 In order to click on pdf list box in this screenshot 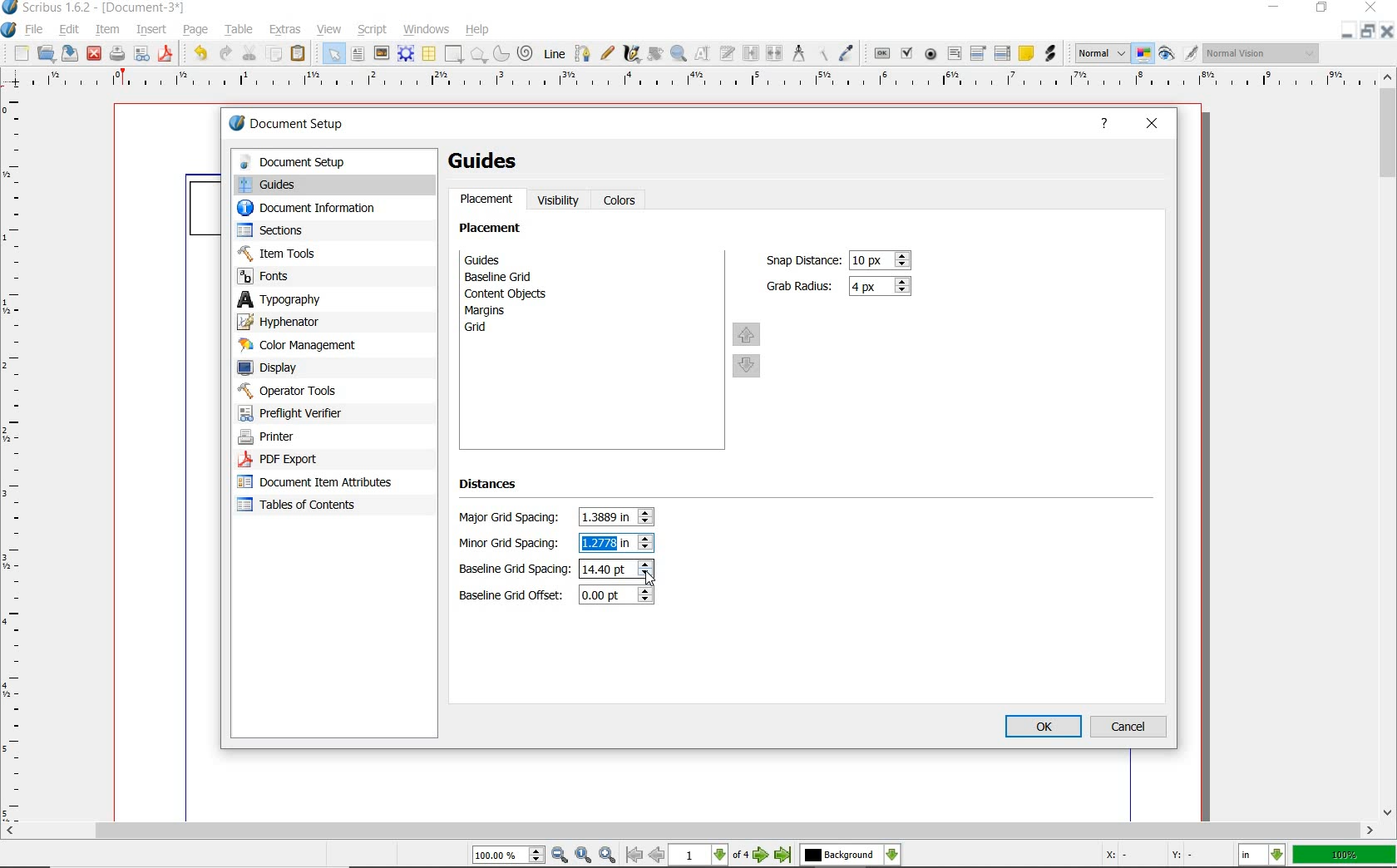, I will do `click(1003, 52)`.